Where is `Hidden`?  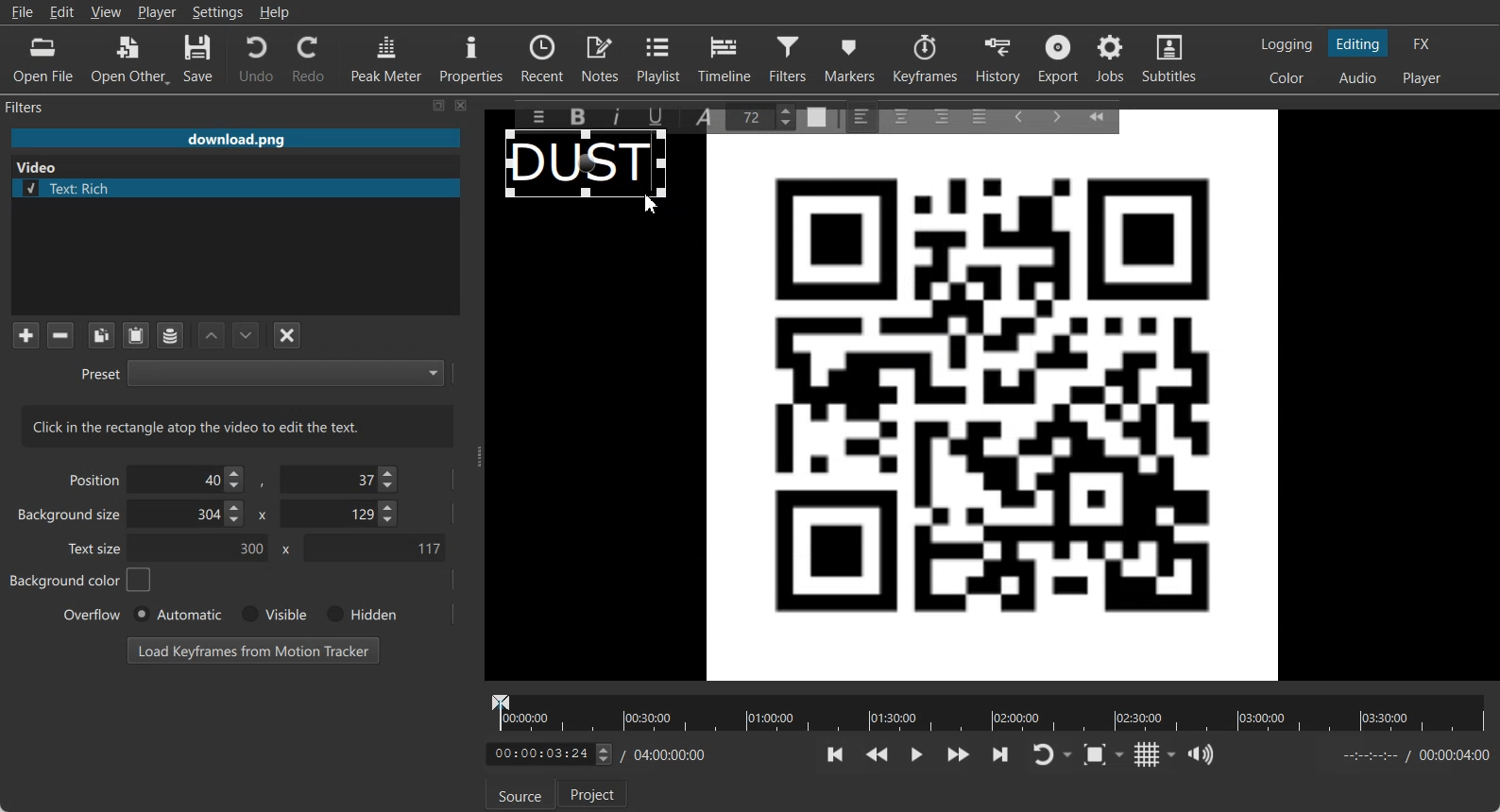 Hidden is located at coordinates (358, 614).